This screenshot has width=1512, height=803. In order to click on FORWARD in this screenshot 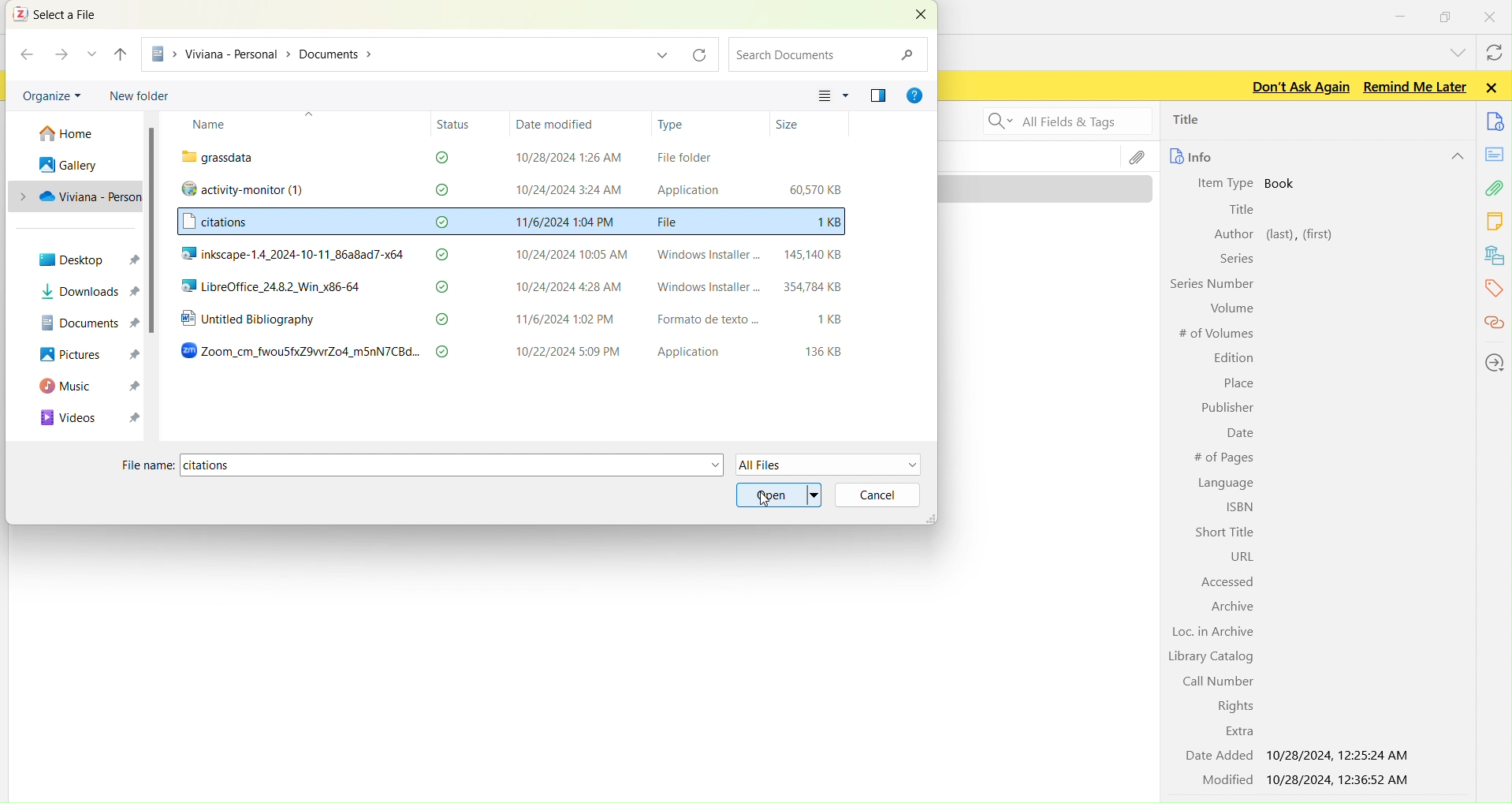, I will do `click(64, 57)`.